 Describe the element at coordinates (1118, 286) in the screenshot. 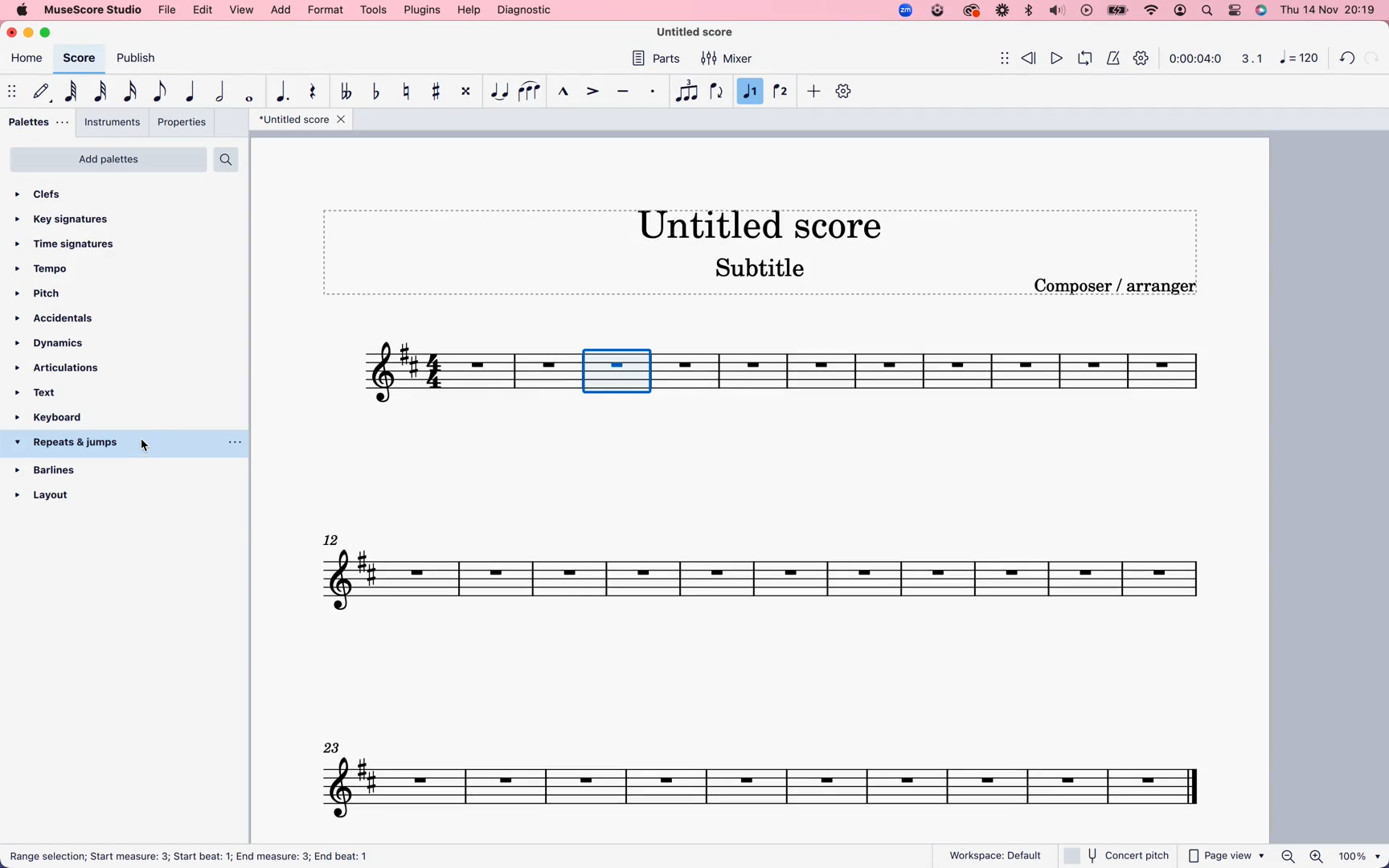

I see `composer / arranger` at that location.